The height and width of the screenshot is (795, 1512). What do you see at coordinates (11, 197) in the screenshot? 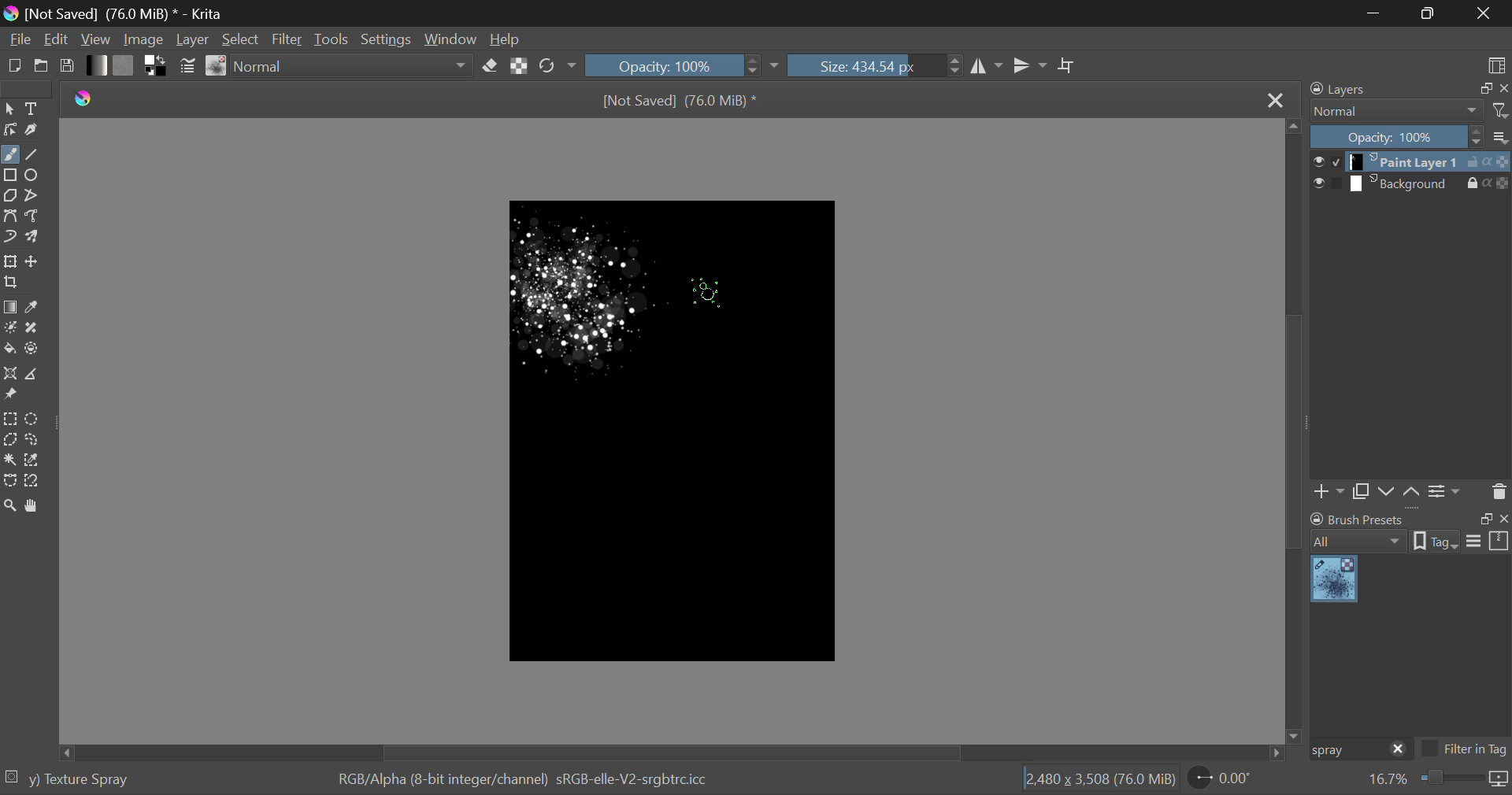
I see `Polygon` at bounding box center [11, 197].